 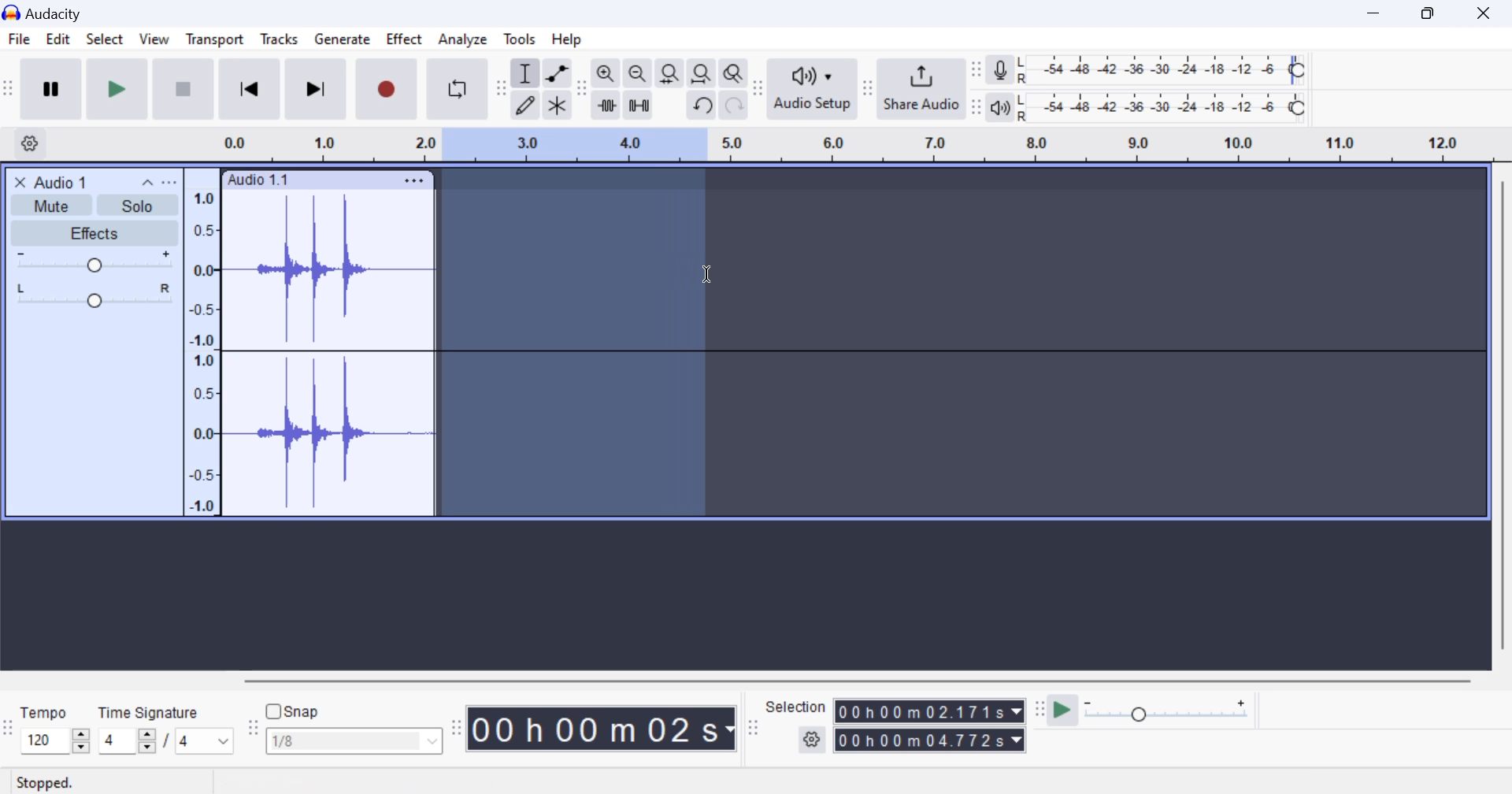 What do you see at coordinates (708, 273) in the screenshot?
I see `Cursor` at bounding box center [708, 273].